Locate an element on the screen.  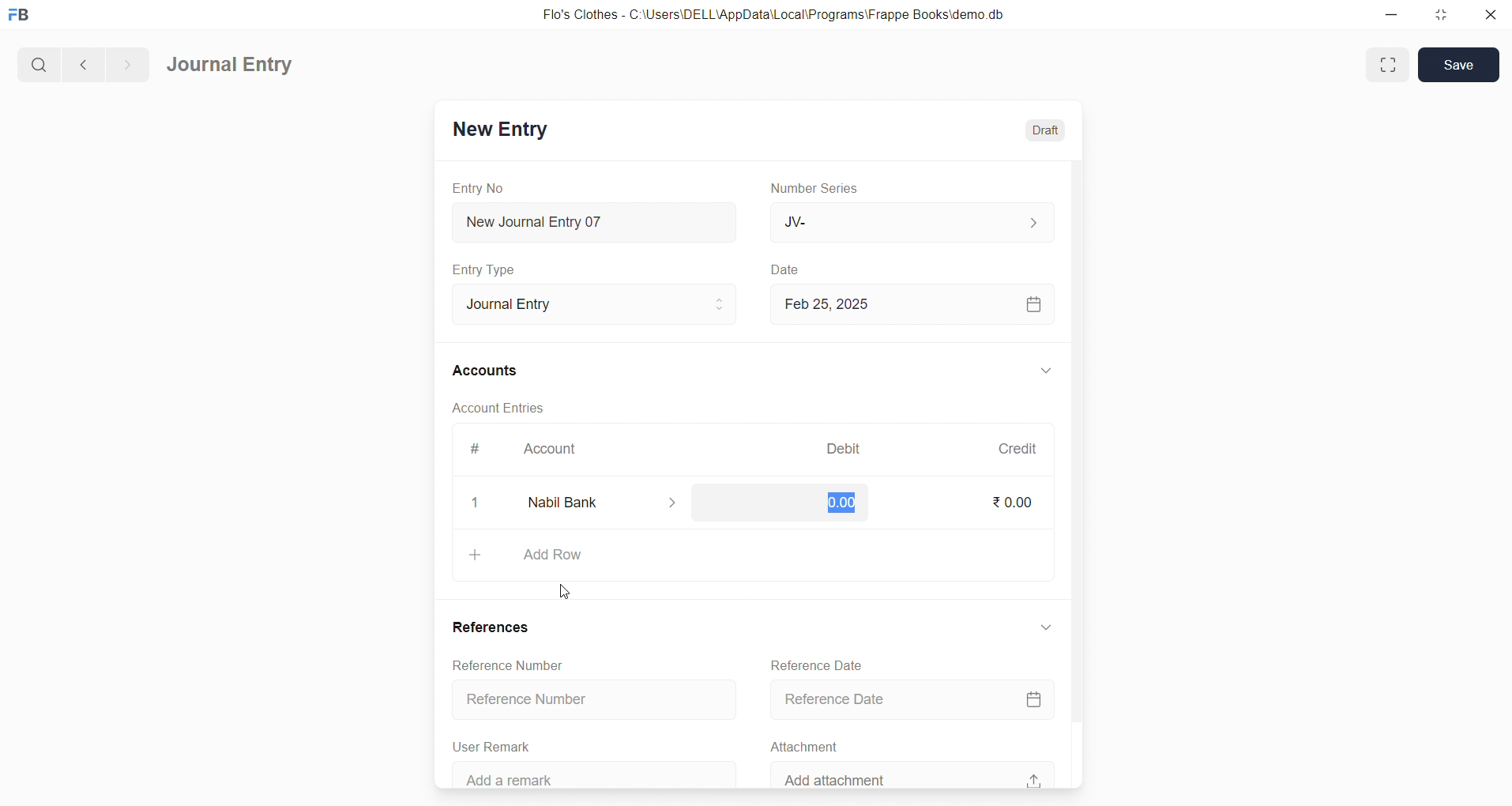
Entry No is located at coordinates (479, 187).